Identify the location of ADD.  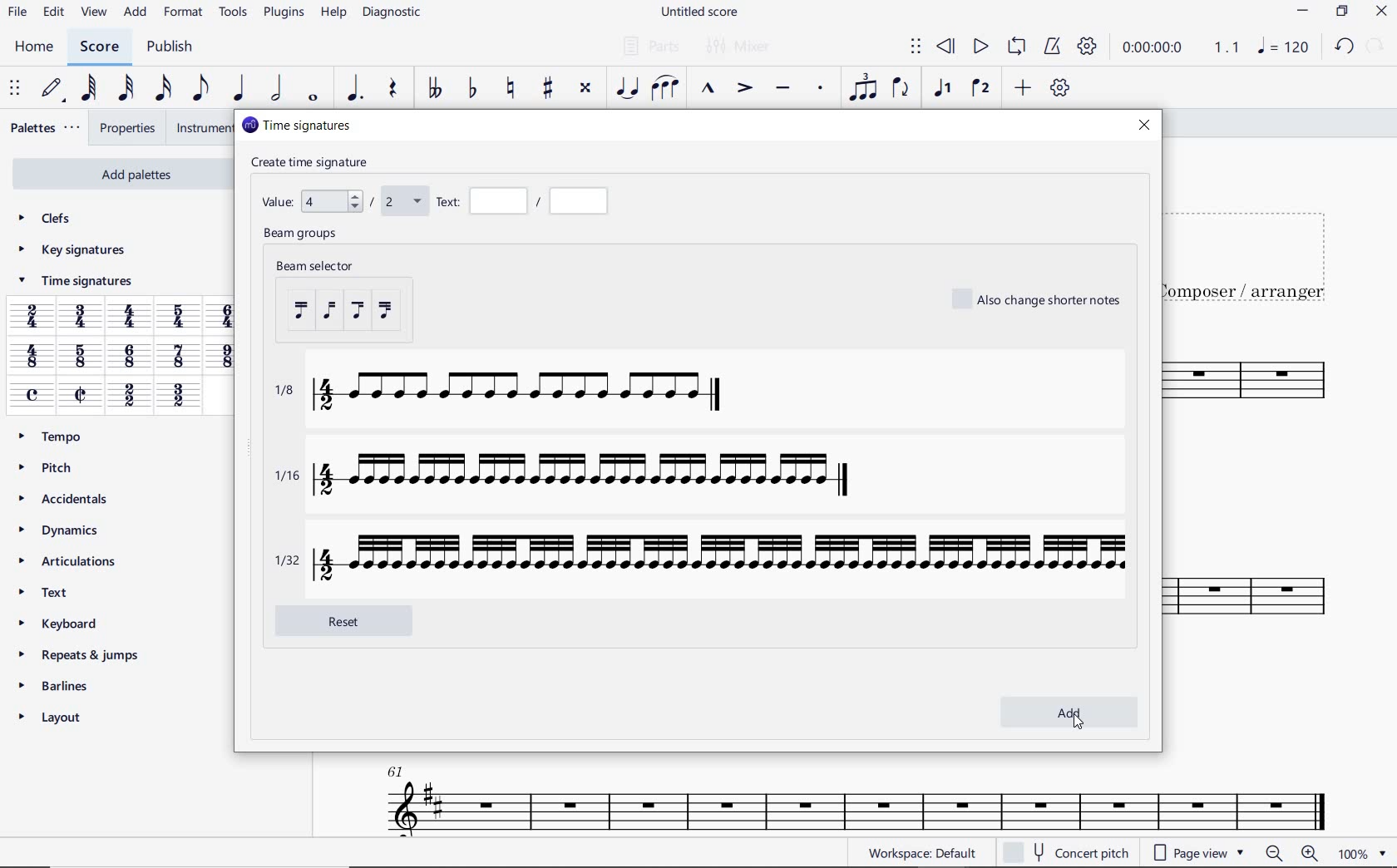
(1023, 87).